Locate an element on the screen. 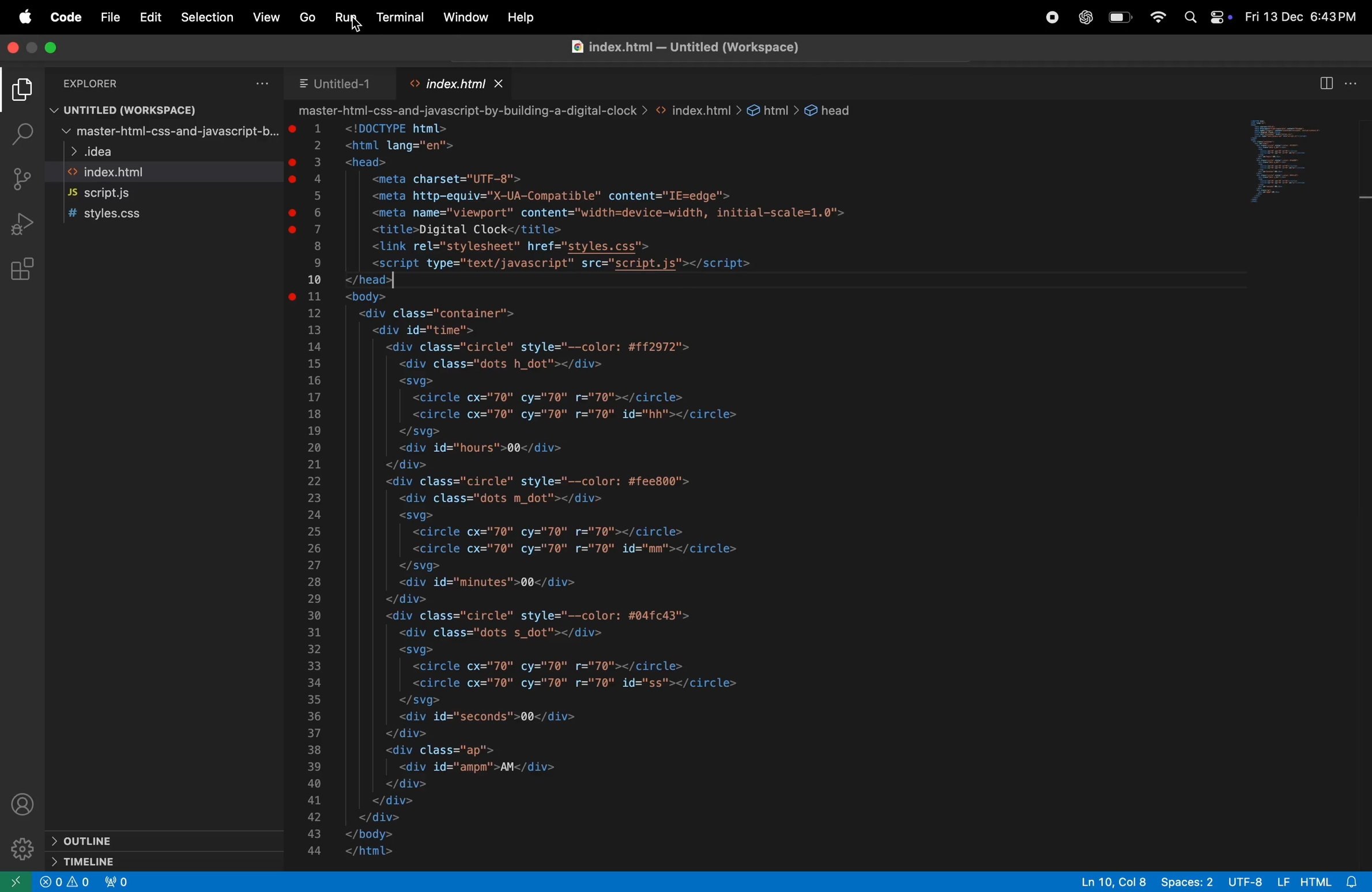  record is located at coordinates (1055, 17).